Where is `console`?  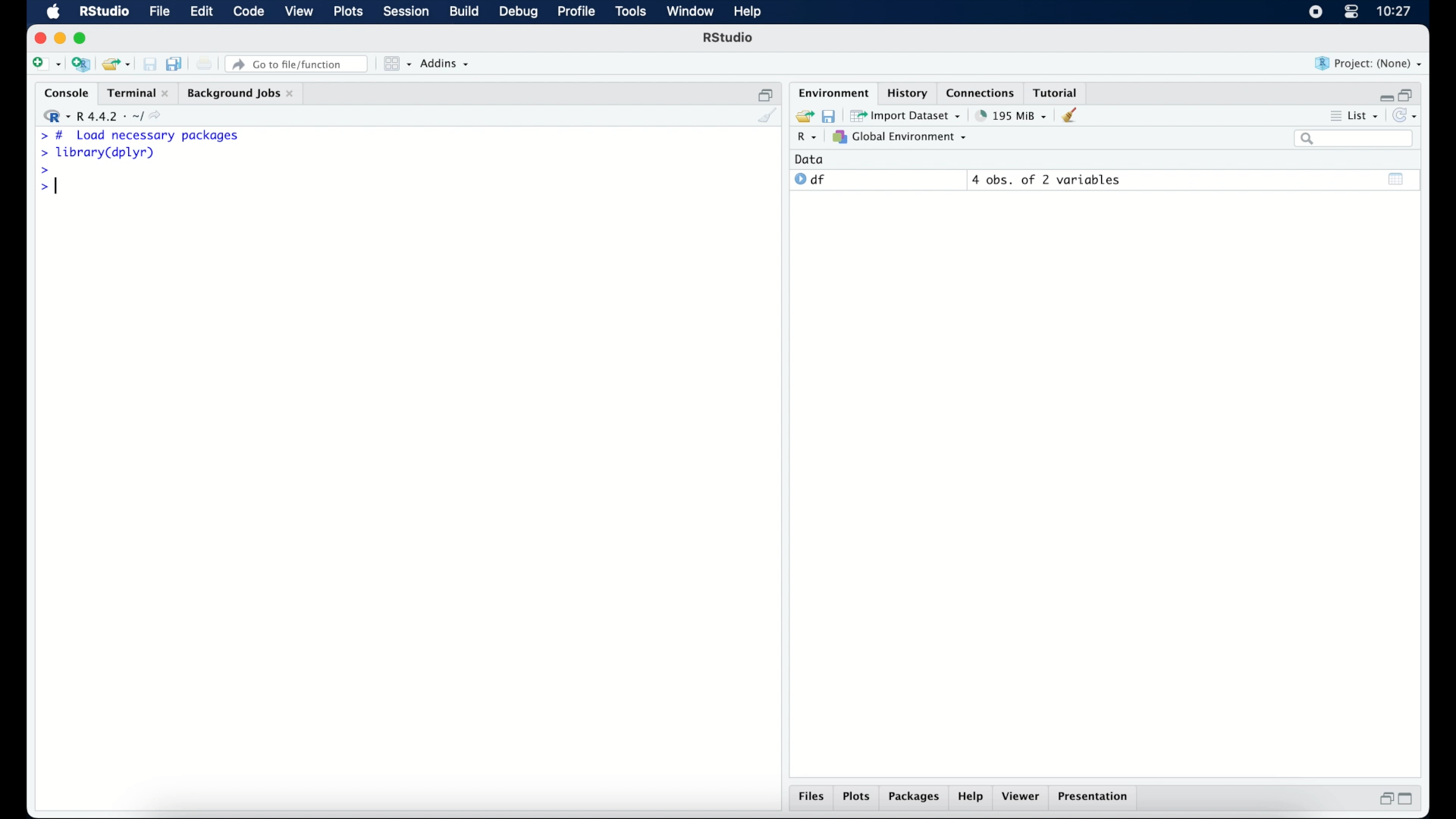
console is located at coordinates (63, 93).